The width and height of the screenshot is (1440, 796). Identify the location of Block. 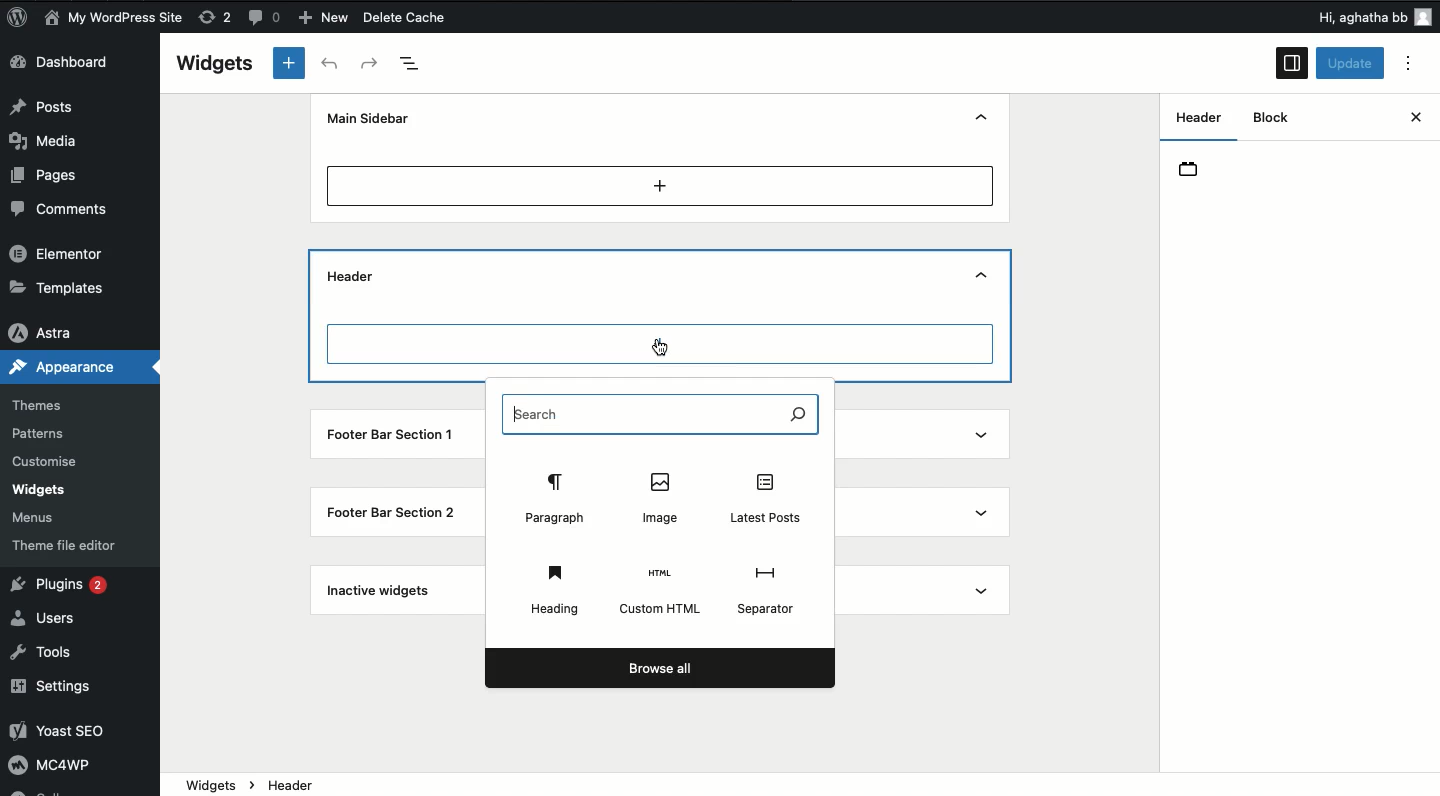
(1275, 118).